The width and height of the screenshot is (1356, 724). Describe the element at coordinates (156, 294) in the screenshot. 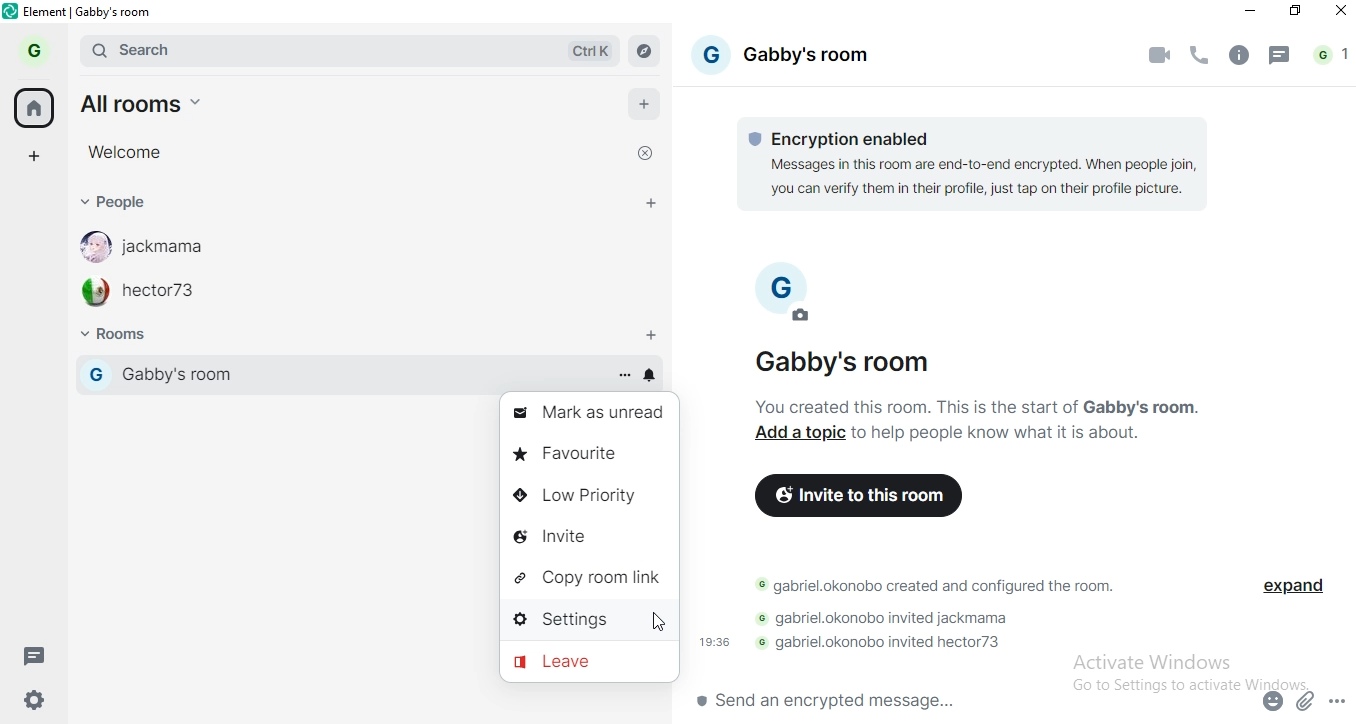

I see `hector73` at that location.